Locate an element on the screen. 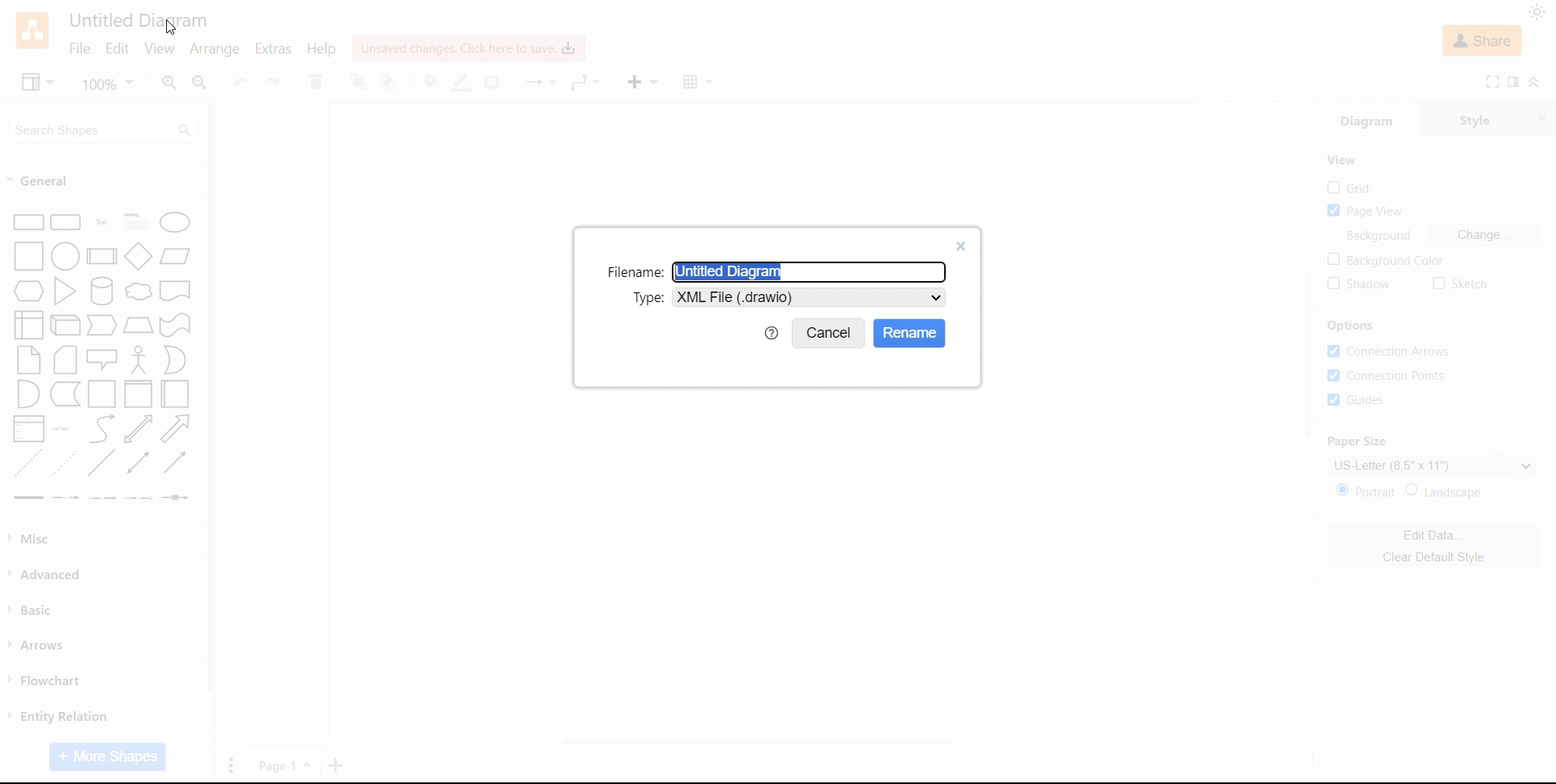 The image size is (1556, 784). Shadow  is located at coordinates (494, 83).